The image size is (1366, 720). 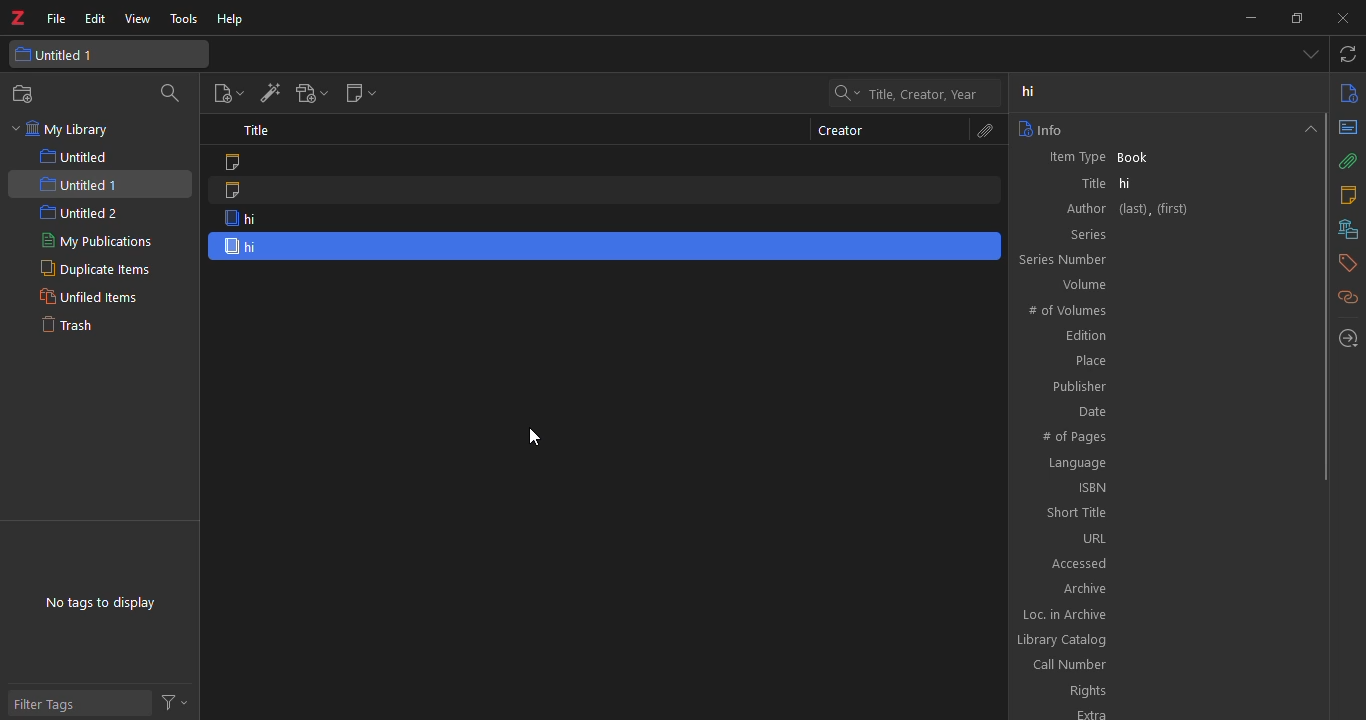 What do you see at coordinates (1327, 294) in the screenshot?
I see `slidebar` at bounding box center [1327, 294].